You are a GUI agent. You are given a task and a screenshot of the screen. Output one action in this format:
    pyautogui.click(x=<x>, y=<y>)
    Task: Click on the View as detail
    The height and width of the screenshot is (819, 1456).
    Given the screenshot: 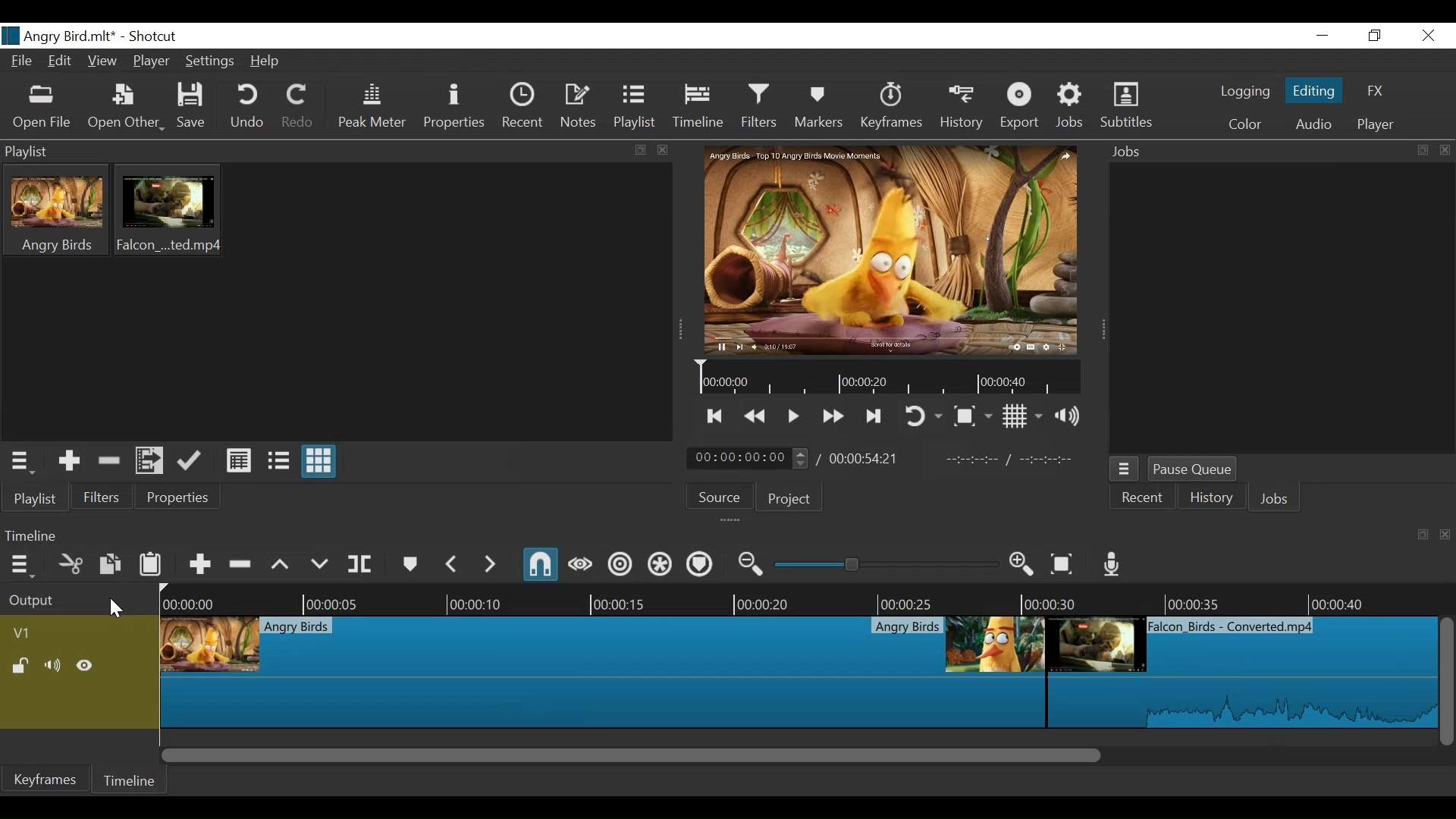 What is the action you would take?
    pyautogui.click(x=238, y=460)
    